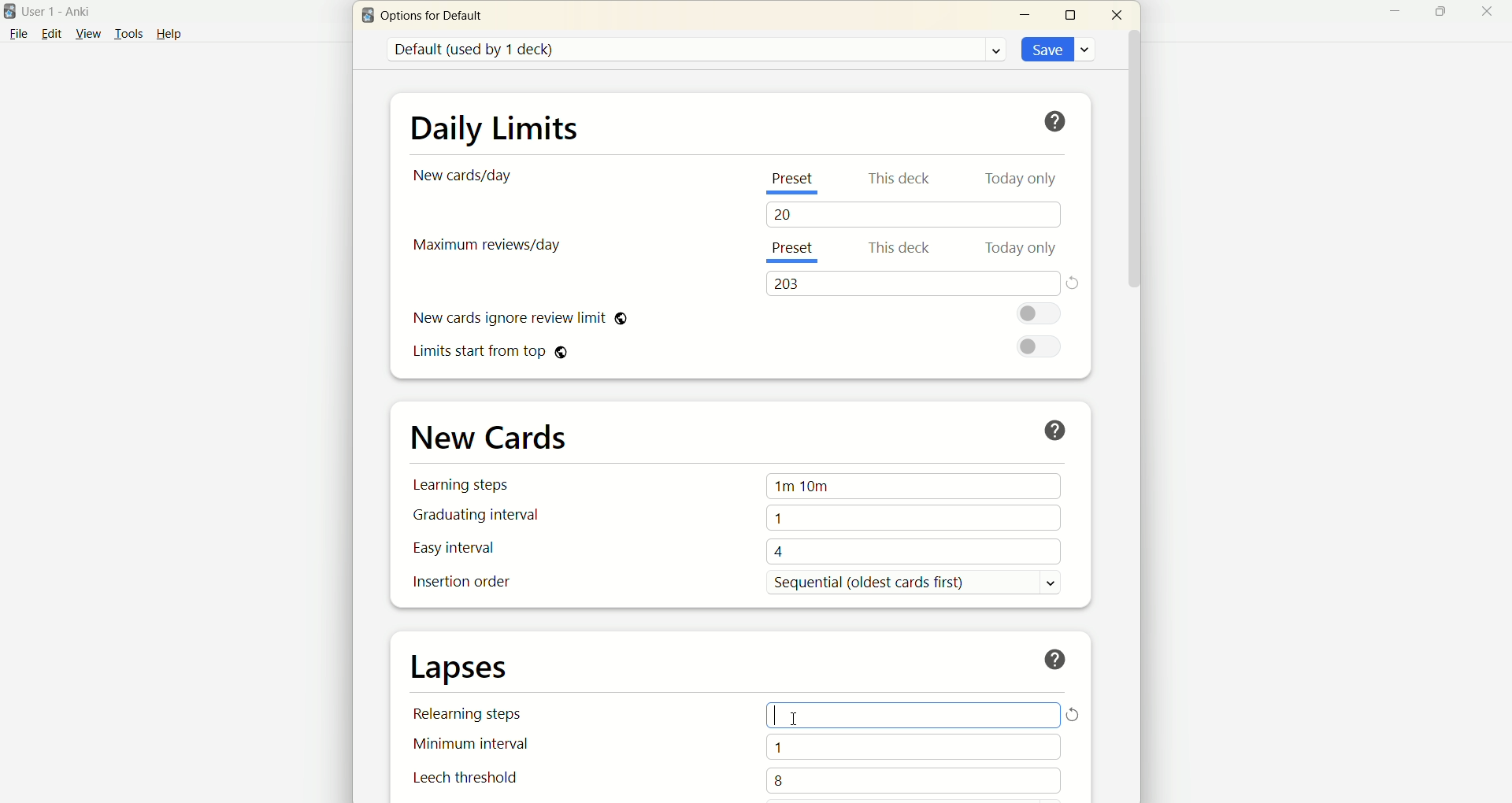 The height and width of the screenshot is (803, 1512). I want to click on close, so click(1117, 13).